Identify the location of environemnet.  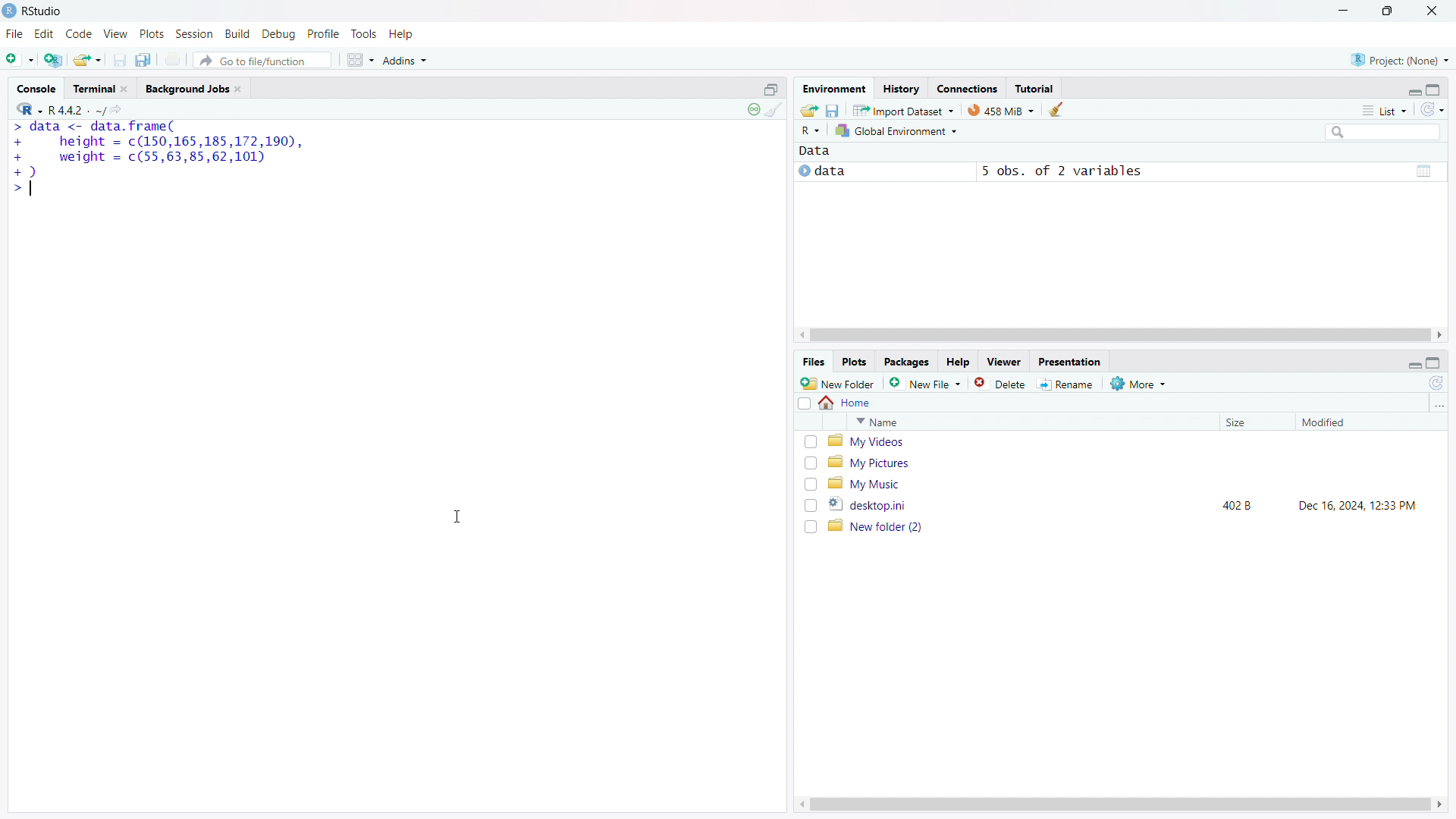
(833, 86).